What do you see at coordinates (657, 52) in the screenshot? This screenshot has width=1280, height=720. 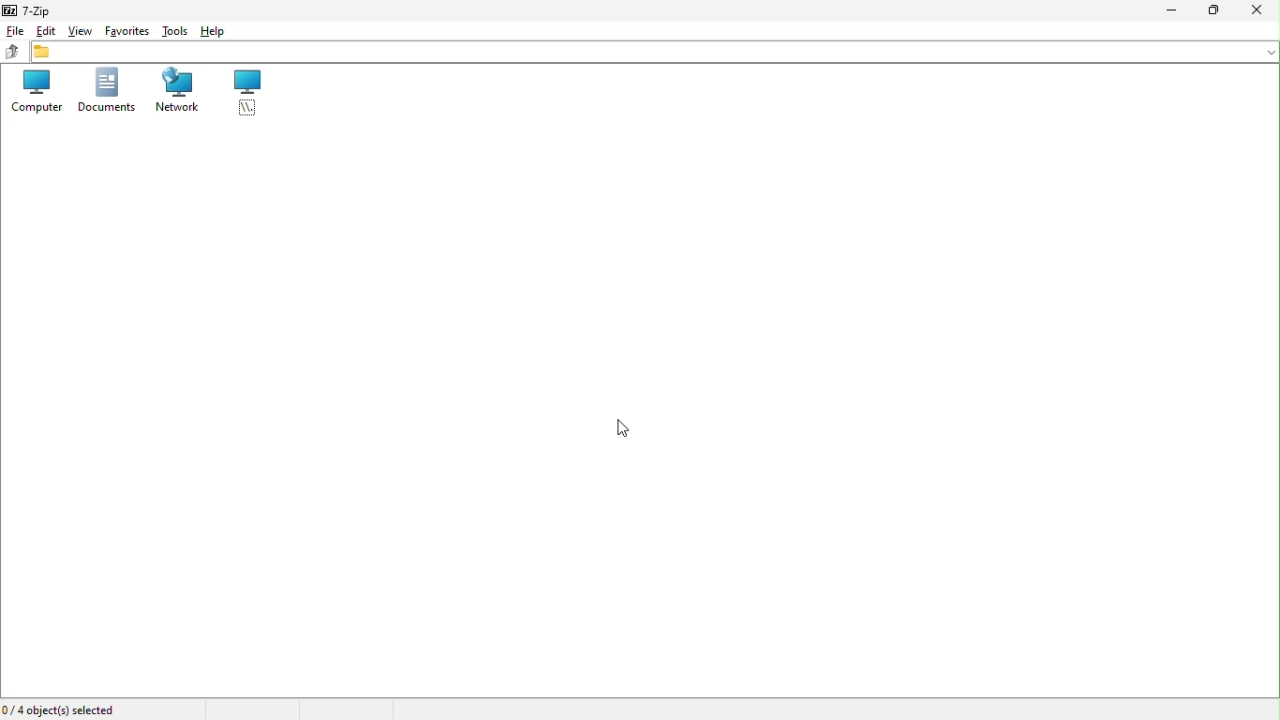 I see `File address bar` at bounding box center [657, 52].